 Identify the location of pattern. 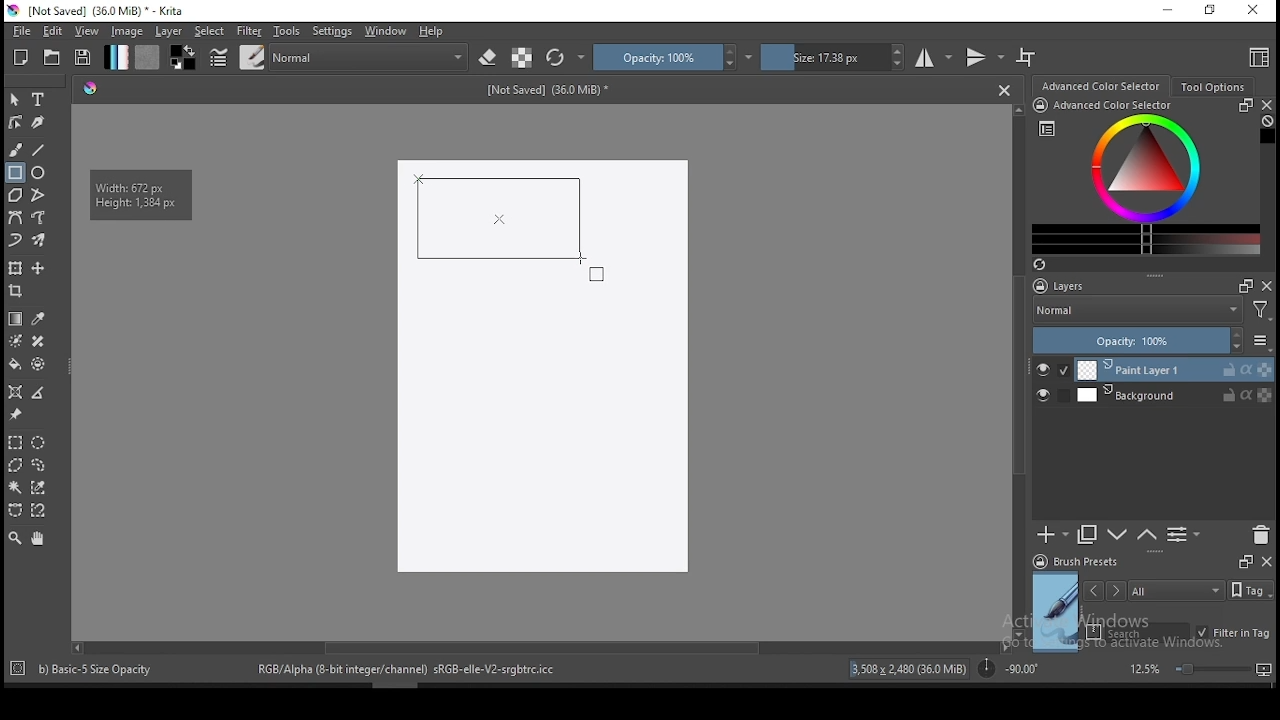
(147, 57).